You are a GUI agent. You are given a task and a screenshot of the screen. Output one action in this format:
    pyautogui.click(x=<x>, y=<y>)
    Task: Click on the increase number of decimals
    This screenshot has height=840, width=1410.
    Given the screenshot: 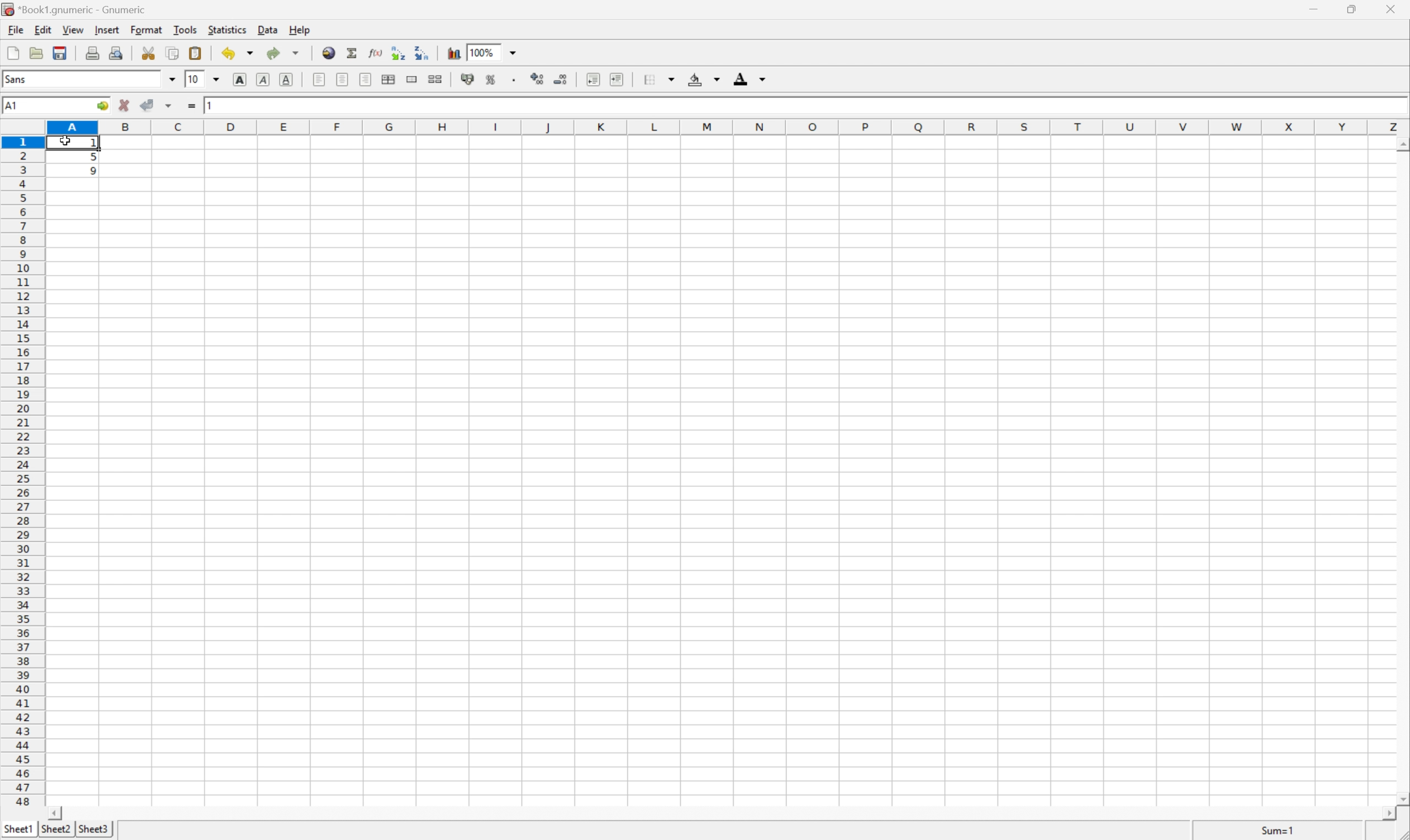 What is the action you would take?
    pyautogui.click(x=538, y=79)
    